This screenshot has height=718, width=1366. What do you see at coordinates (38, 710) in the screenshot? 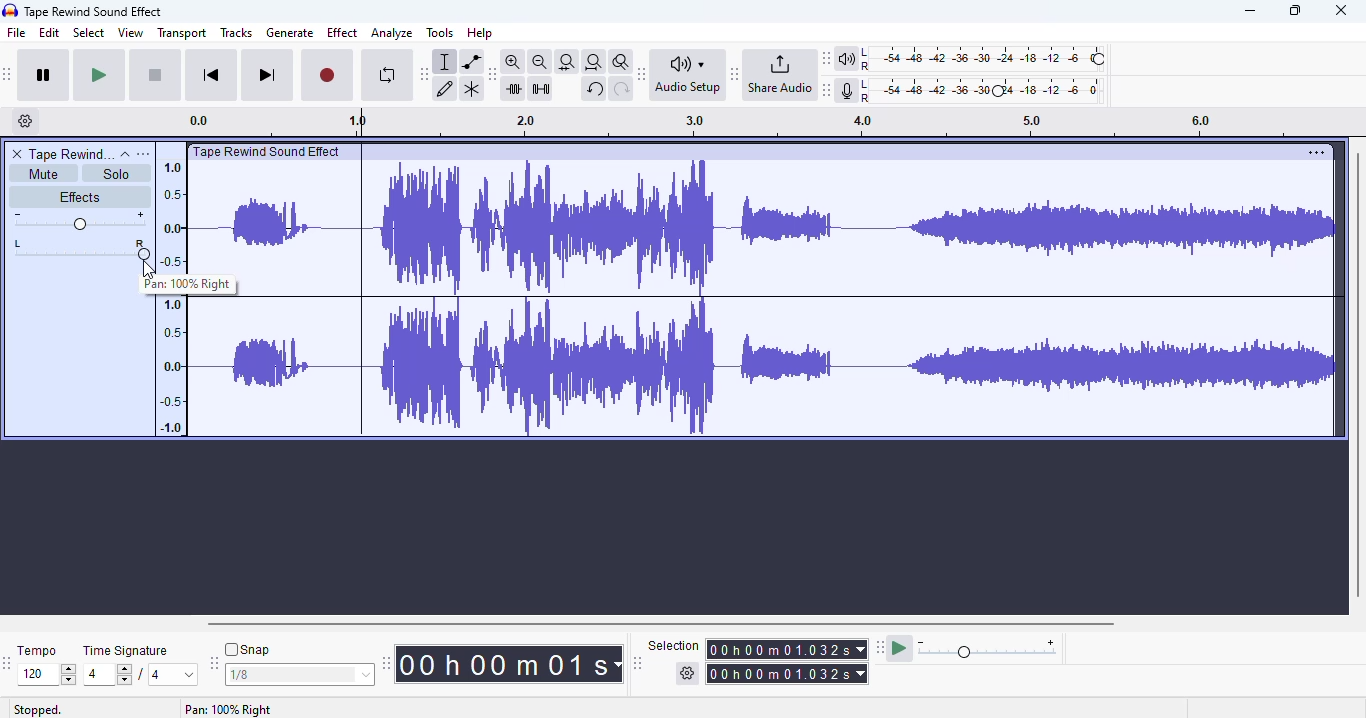
I see `stopped` at bounding box center [38, 710].